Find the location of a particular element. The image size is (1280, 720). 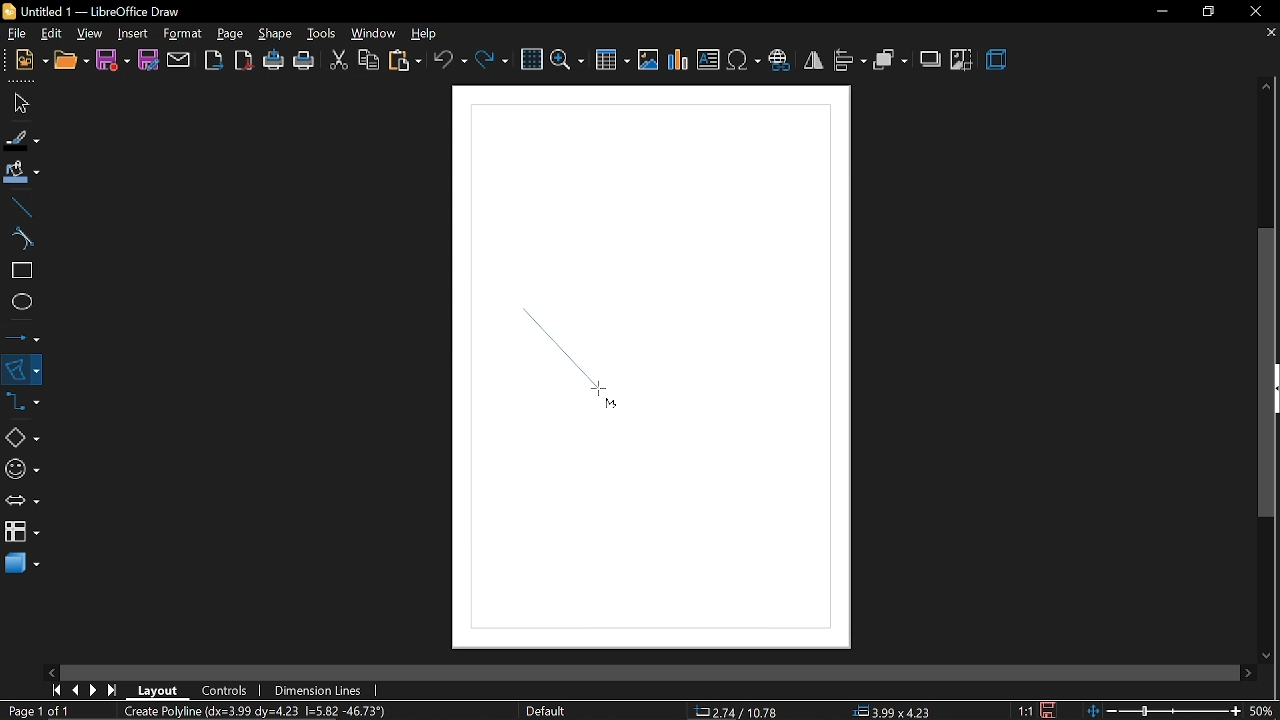

print is located at coordinates (305, 61).